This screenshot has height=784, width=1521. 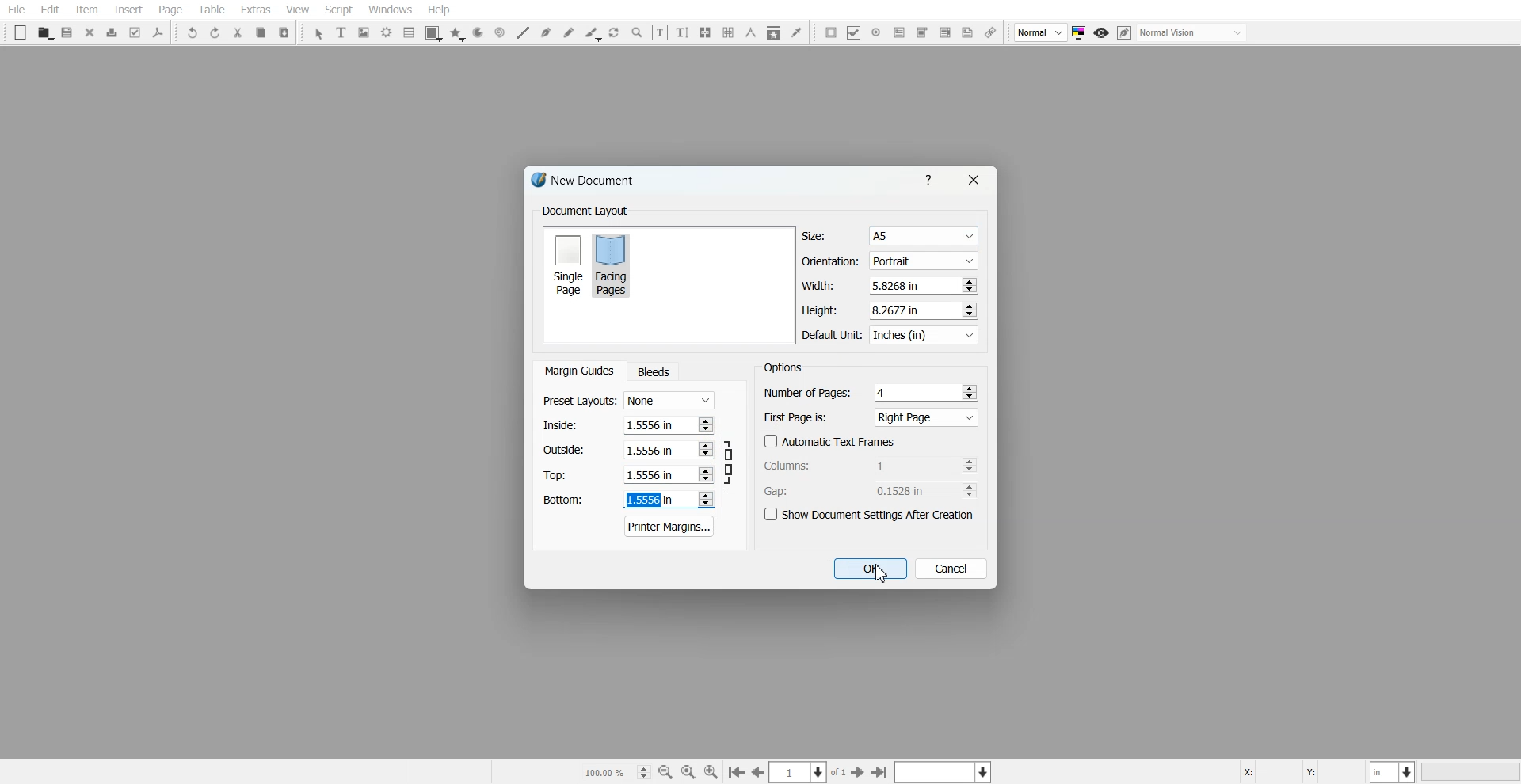 What do you see at coordinates (478, 33) in the screenshot?
I see `Arc` at bounding box center [478, 33].